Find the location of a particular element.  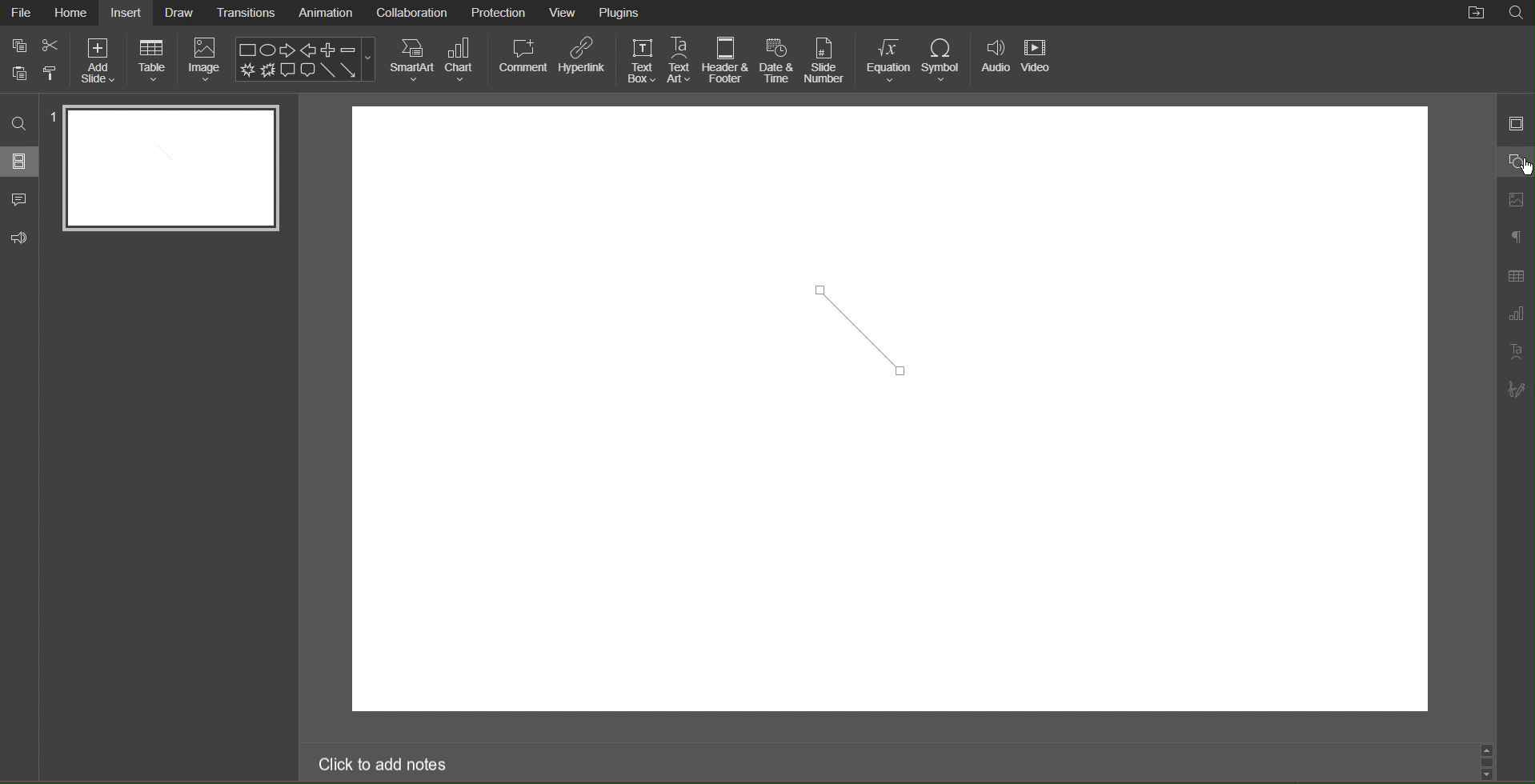

Cursor is located at coordinates (1514, 167).